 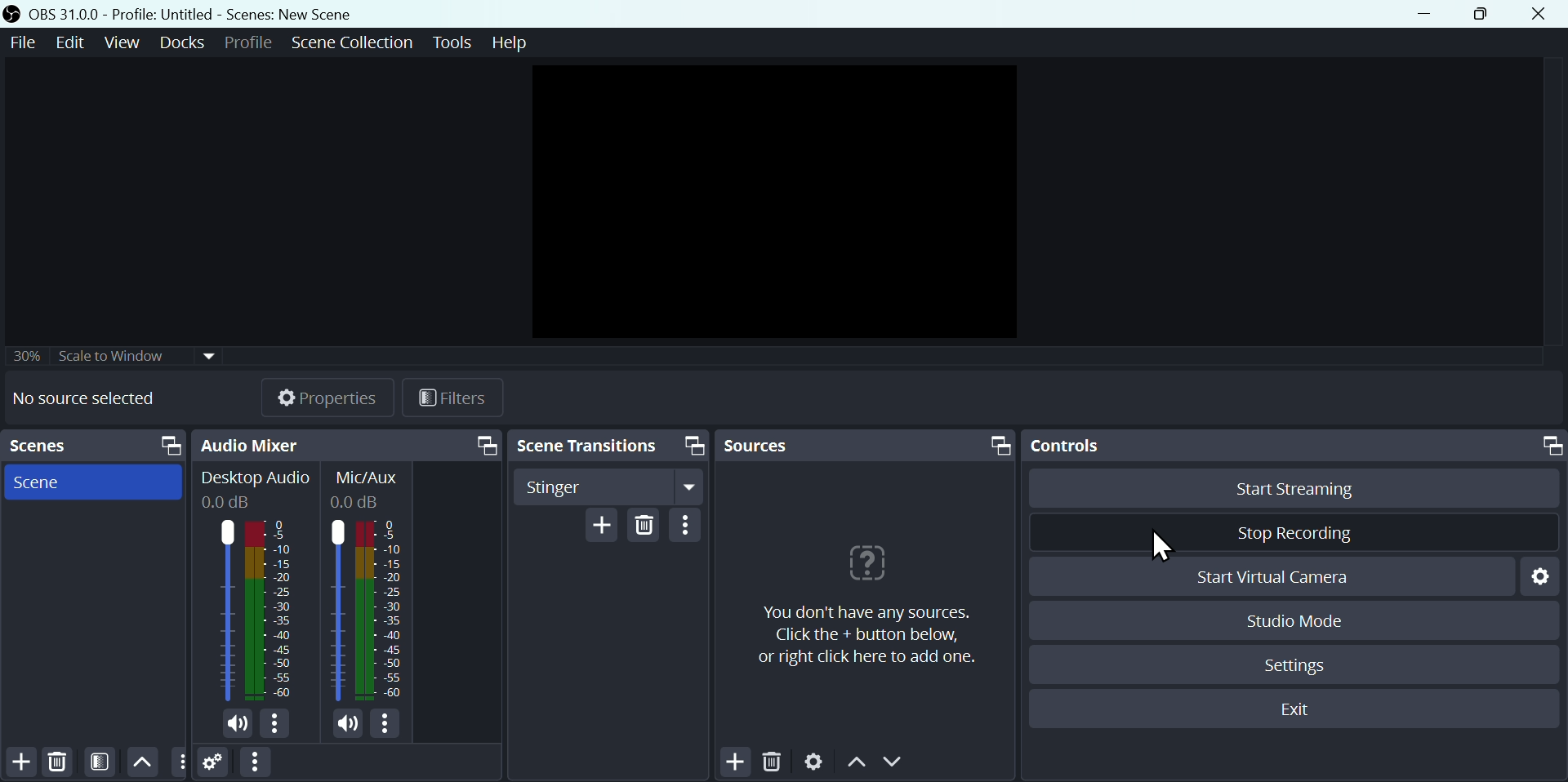 I want to click on Start streaming , so click(x=1310, y=489).